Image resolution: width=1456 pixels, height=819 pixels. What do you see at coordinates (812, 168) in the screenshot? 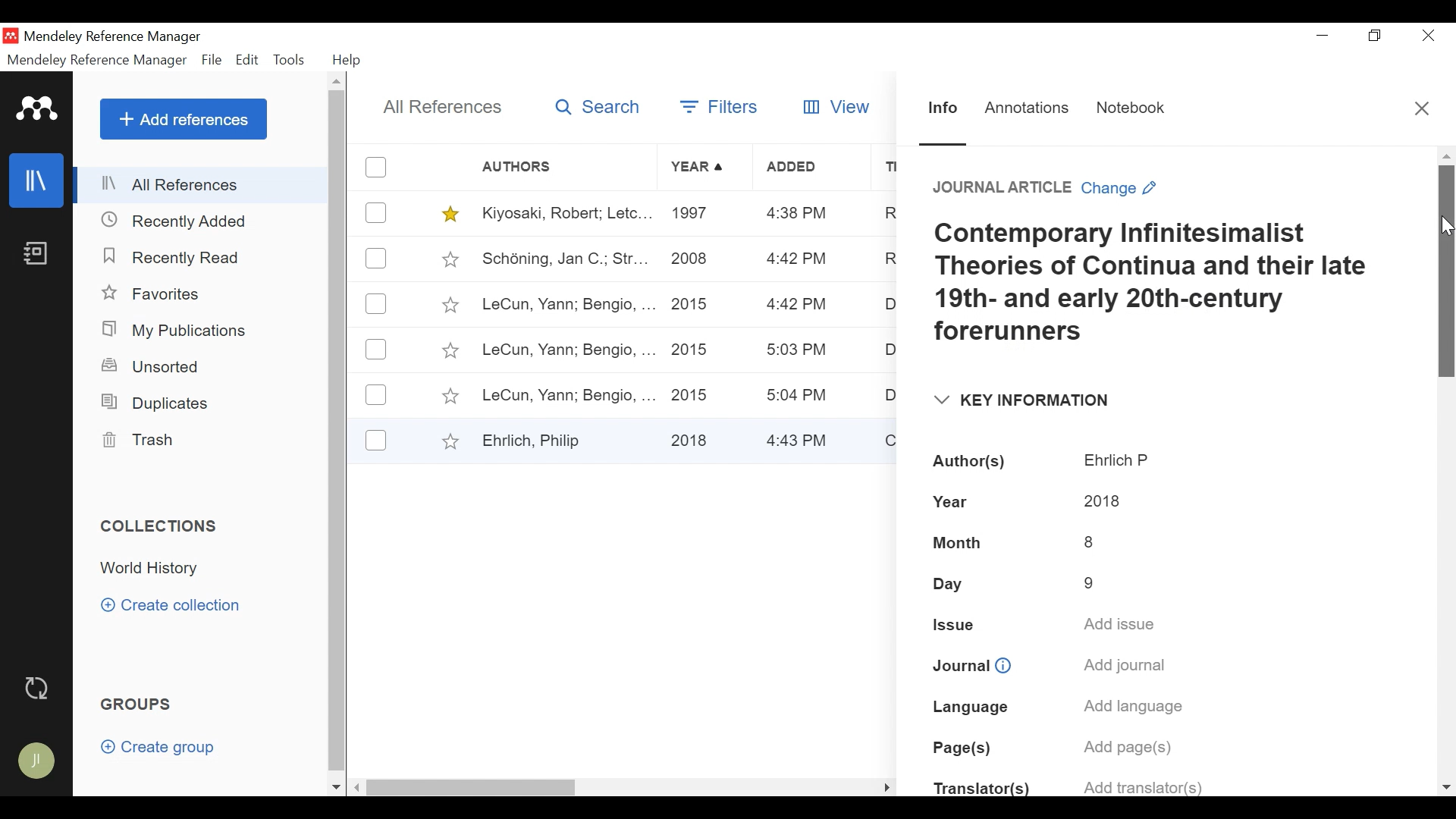
I see `Added` at bounding box center [812, 168].